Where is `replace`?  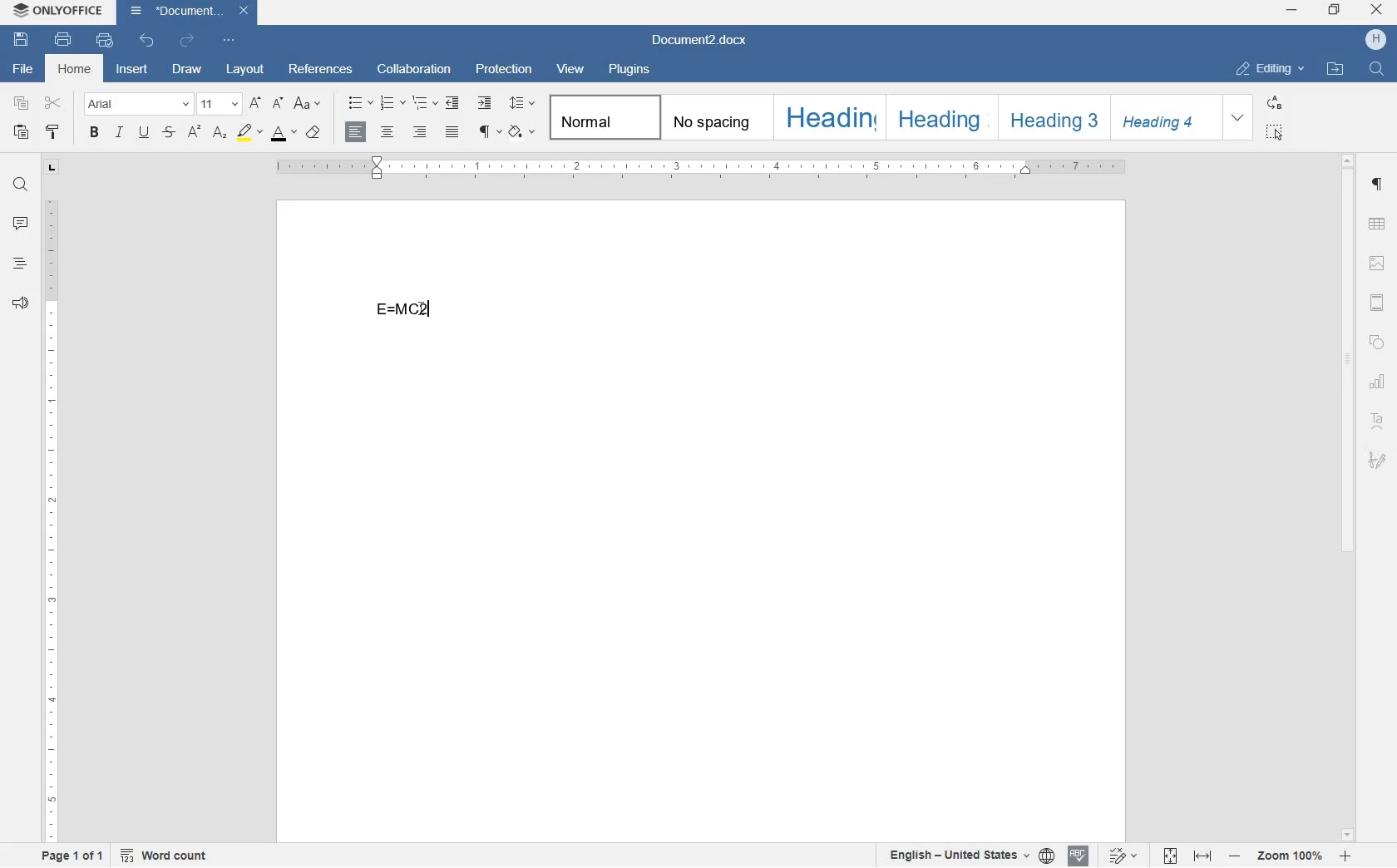
replace is located at coordinates (1276, 104).